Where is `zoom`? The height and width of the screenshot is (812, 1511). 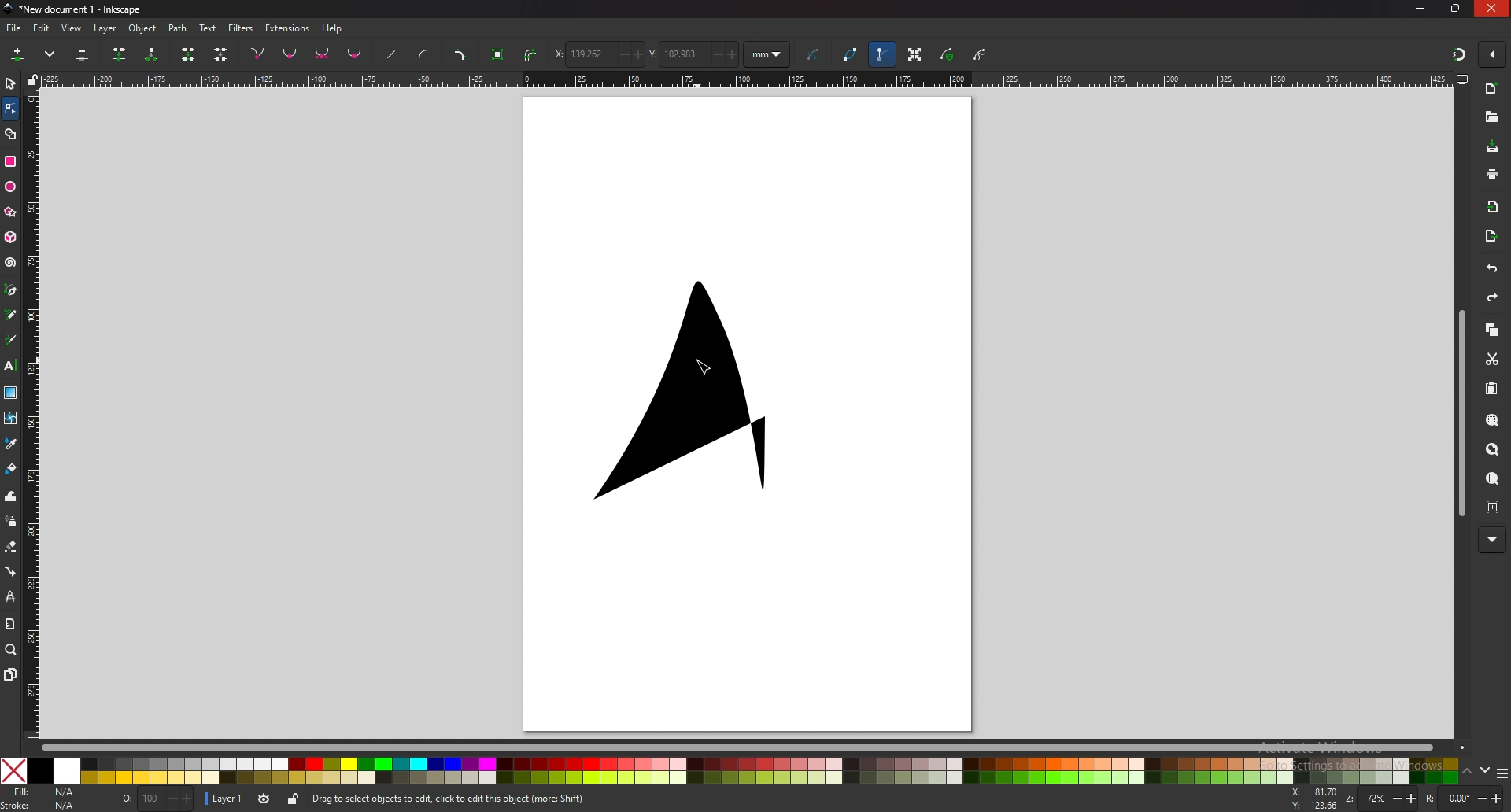 zoom is located at coordinates (11, 650).